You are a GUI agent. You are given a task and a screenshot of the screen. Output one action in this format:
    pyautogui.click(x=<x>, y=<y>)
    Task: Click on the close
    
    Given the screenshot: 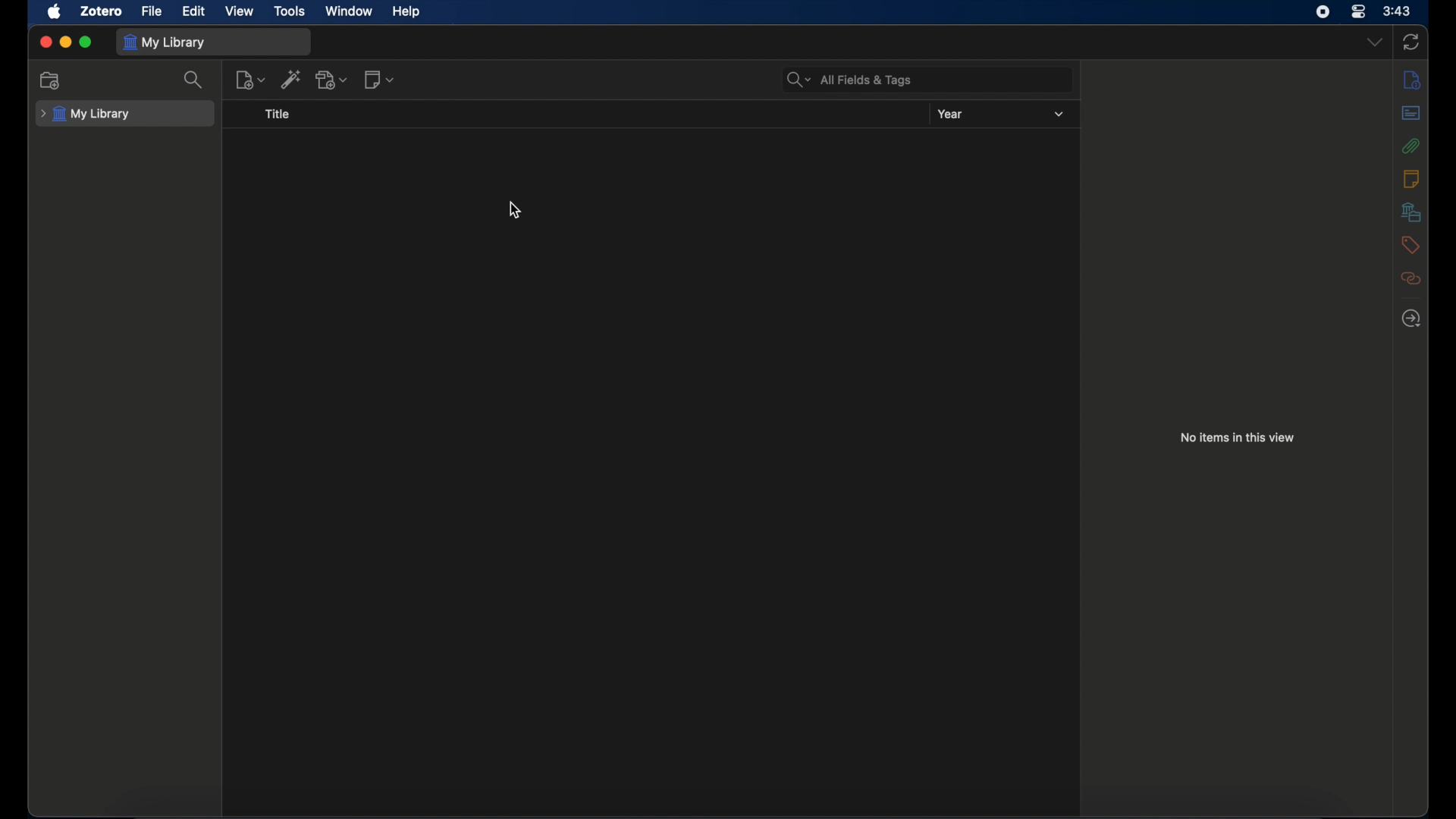 What is the action you would take?
    pyautogui.click(x=46, y=43)
    